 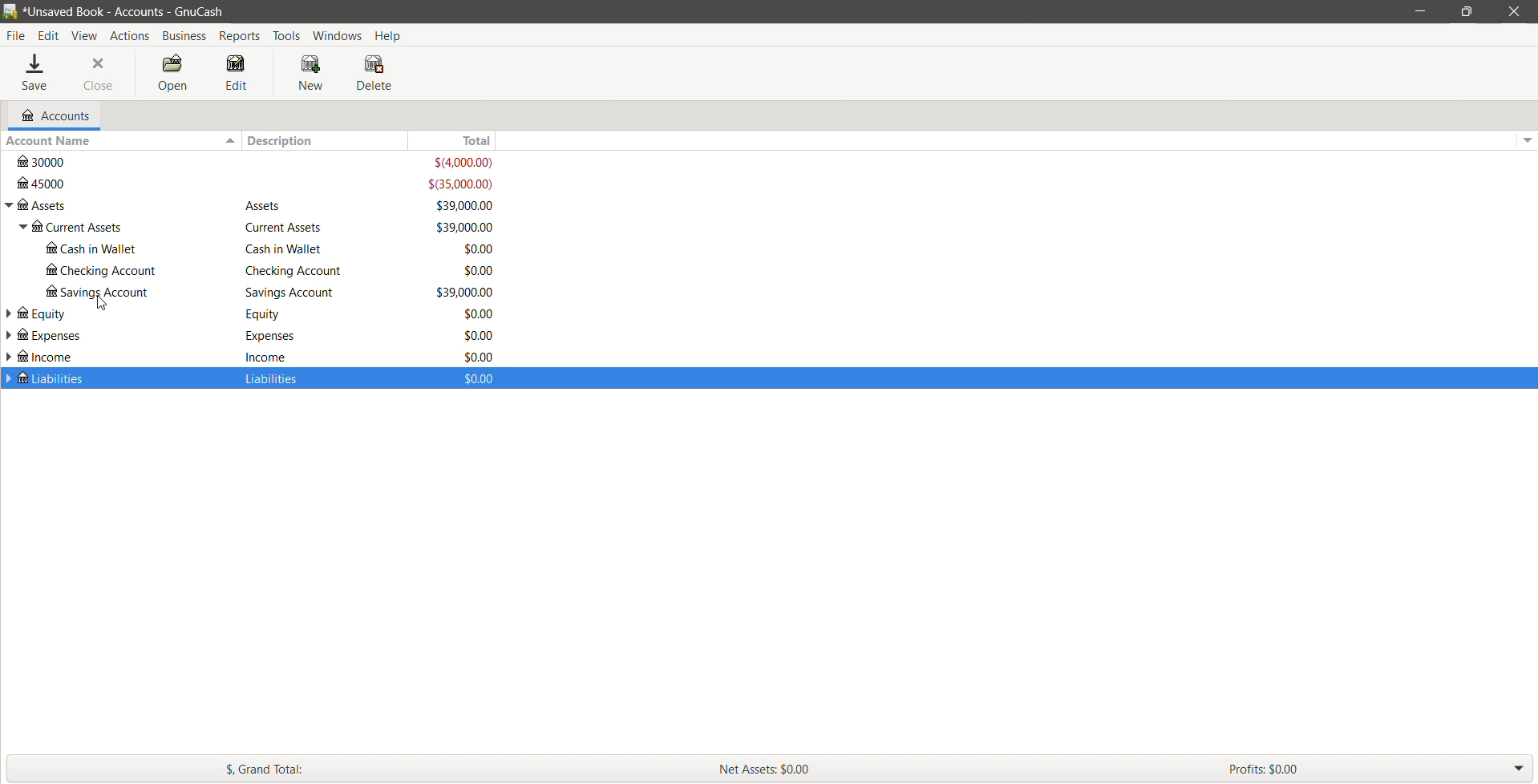 I want to click on Close, so click(x=1512, y=11).